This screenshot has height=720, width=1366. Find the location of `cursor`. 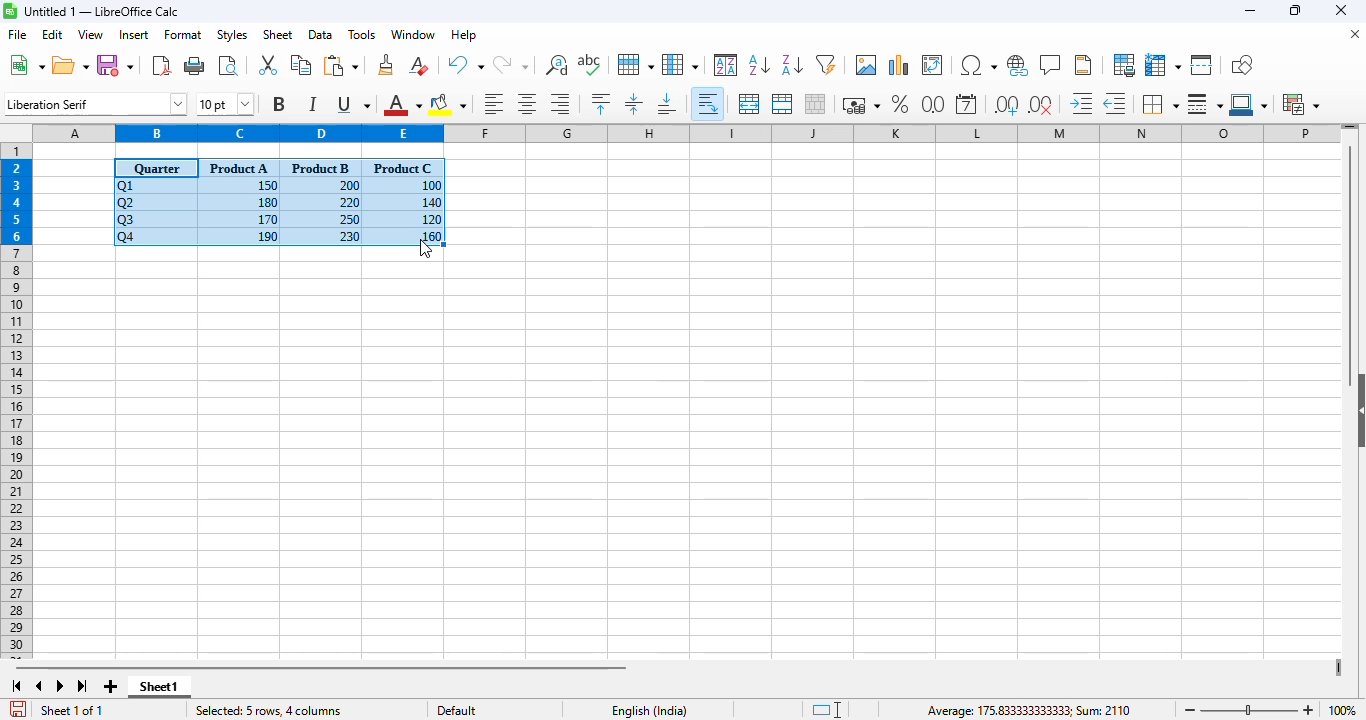

cursor is located at coordinates (427, 248).